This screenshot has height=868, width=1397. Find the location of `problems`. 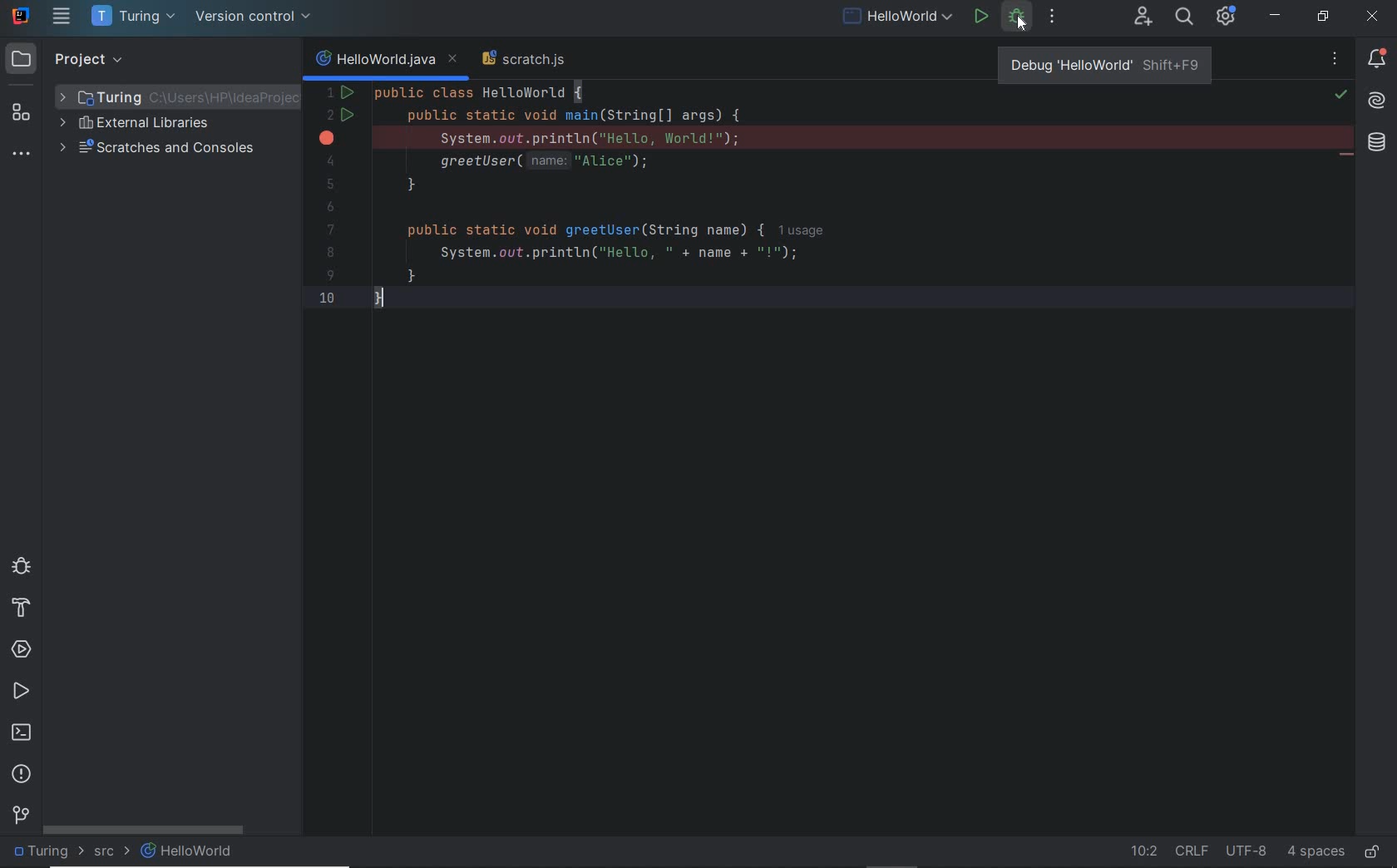

problems is located at coordinates (22, 774).